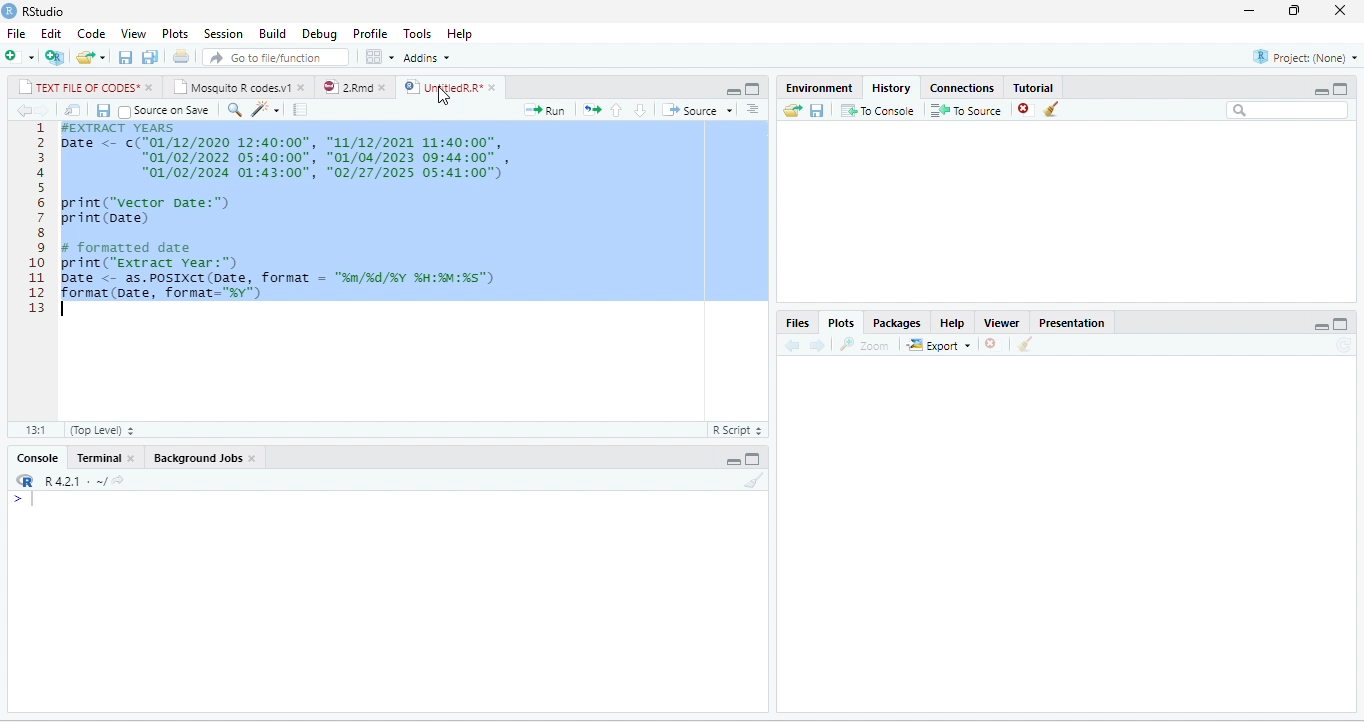 This screenshot has width=1364, height=722. What do you see at coordinates (35, 430) in the screenshot?
I see `13:1` at bounding box center [35, 430].